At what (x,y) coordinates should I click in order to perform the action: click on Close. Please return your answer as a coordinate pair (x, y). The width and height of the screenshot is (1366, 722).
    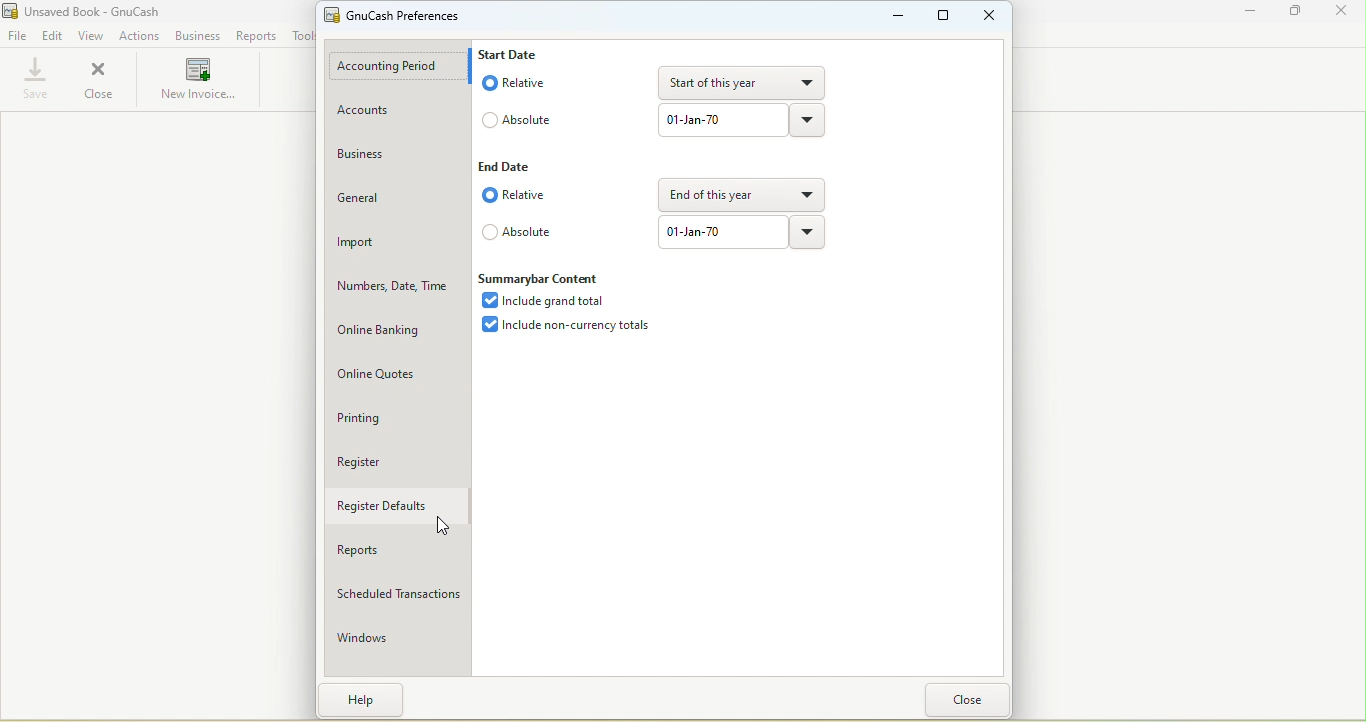
    Looking at the image, I should click on (985, 17).